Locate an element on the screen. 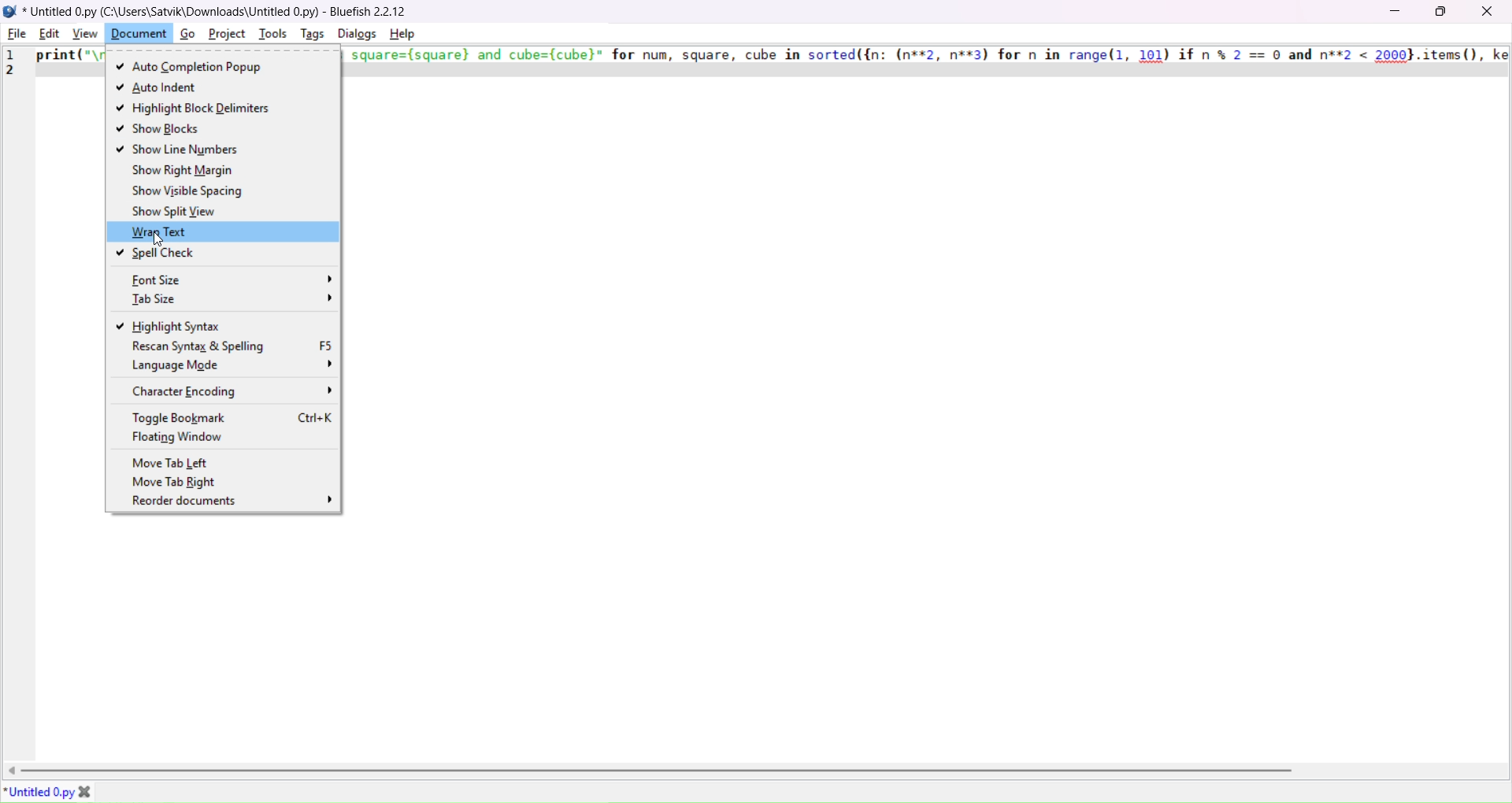 This screenshot has height=803, width=1512. language mode is located at coordinates (232, 365).